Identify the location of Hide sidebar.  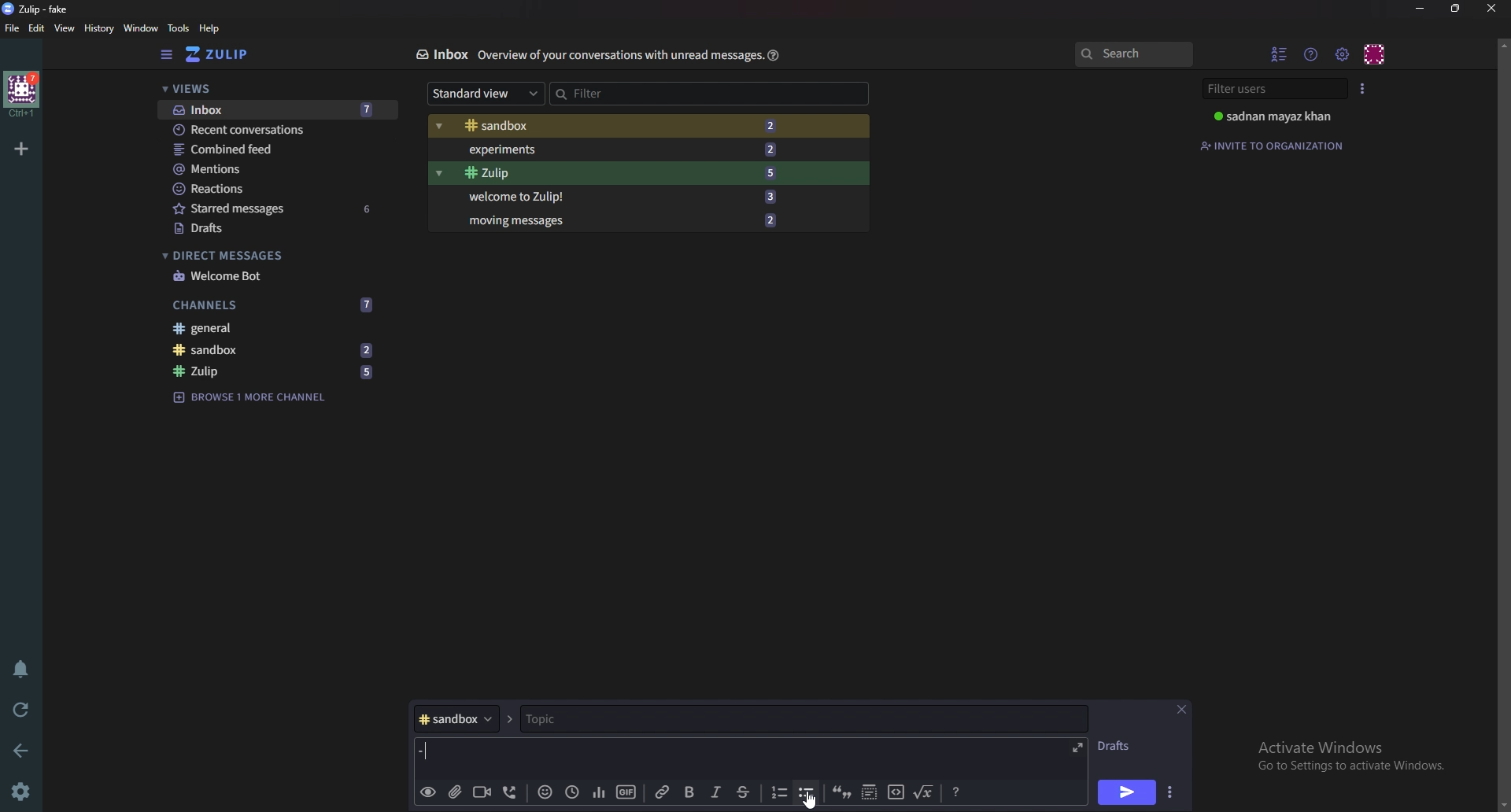
(168, 54).